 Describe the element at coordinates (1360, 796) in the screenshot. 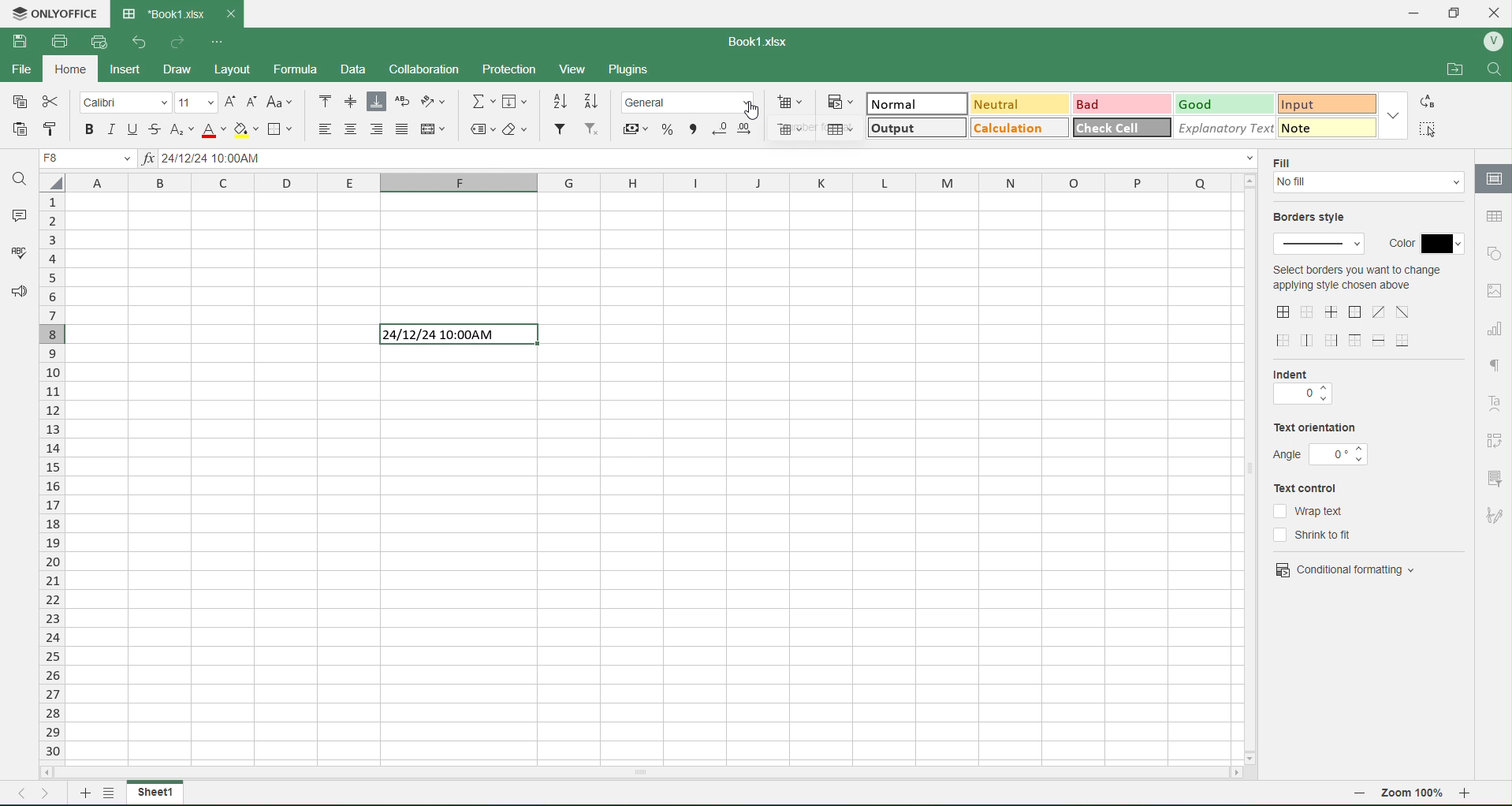

I see `zoom out` at that location.